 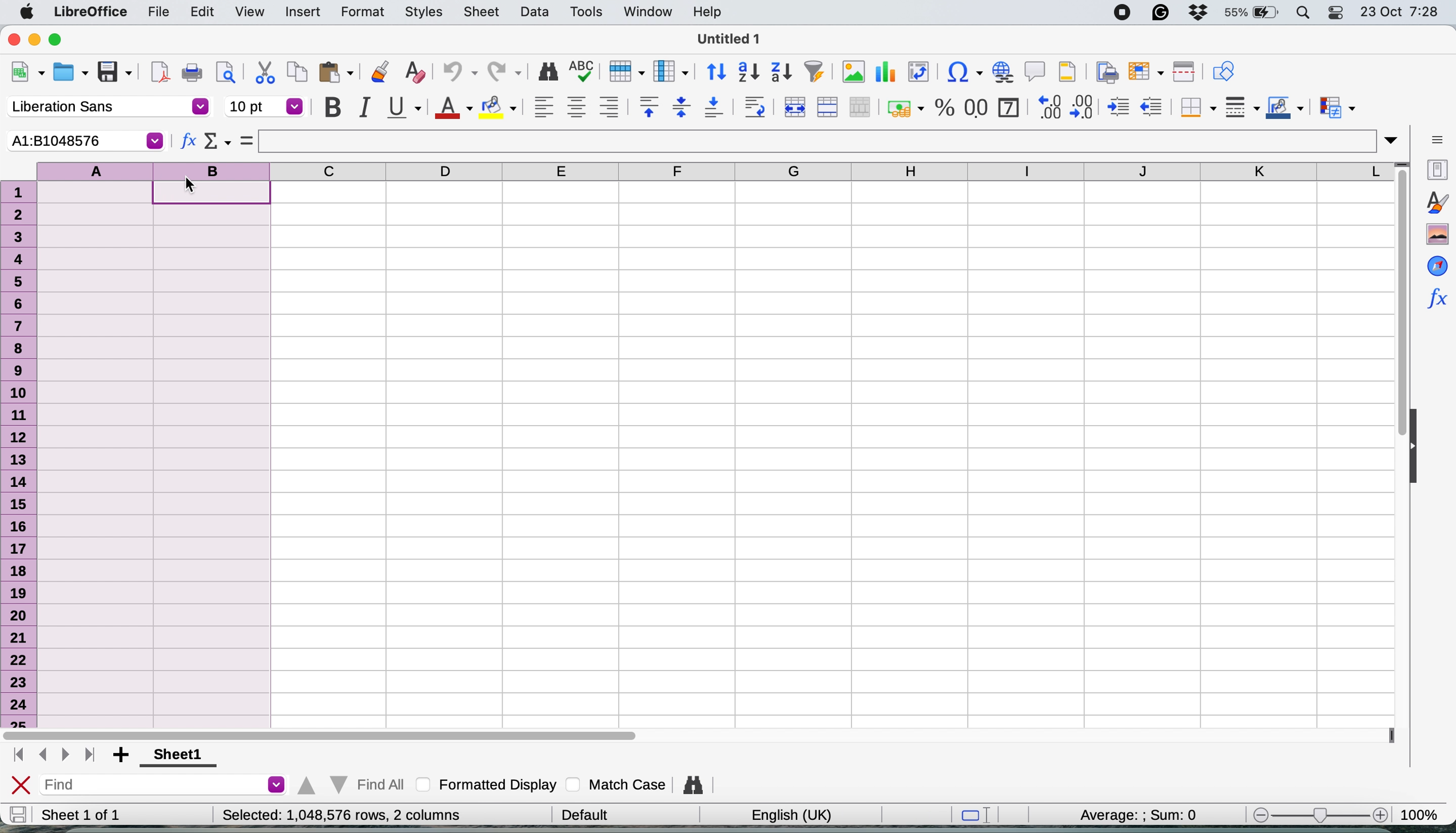 I want to click on insert, so click(x=300, y=12).